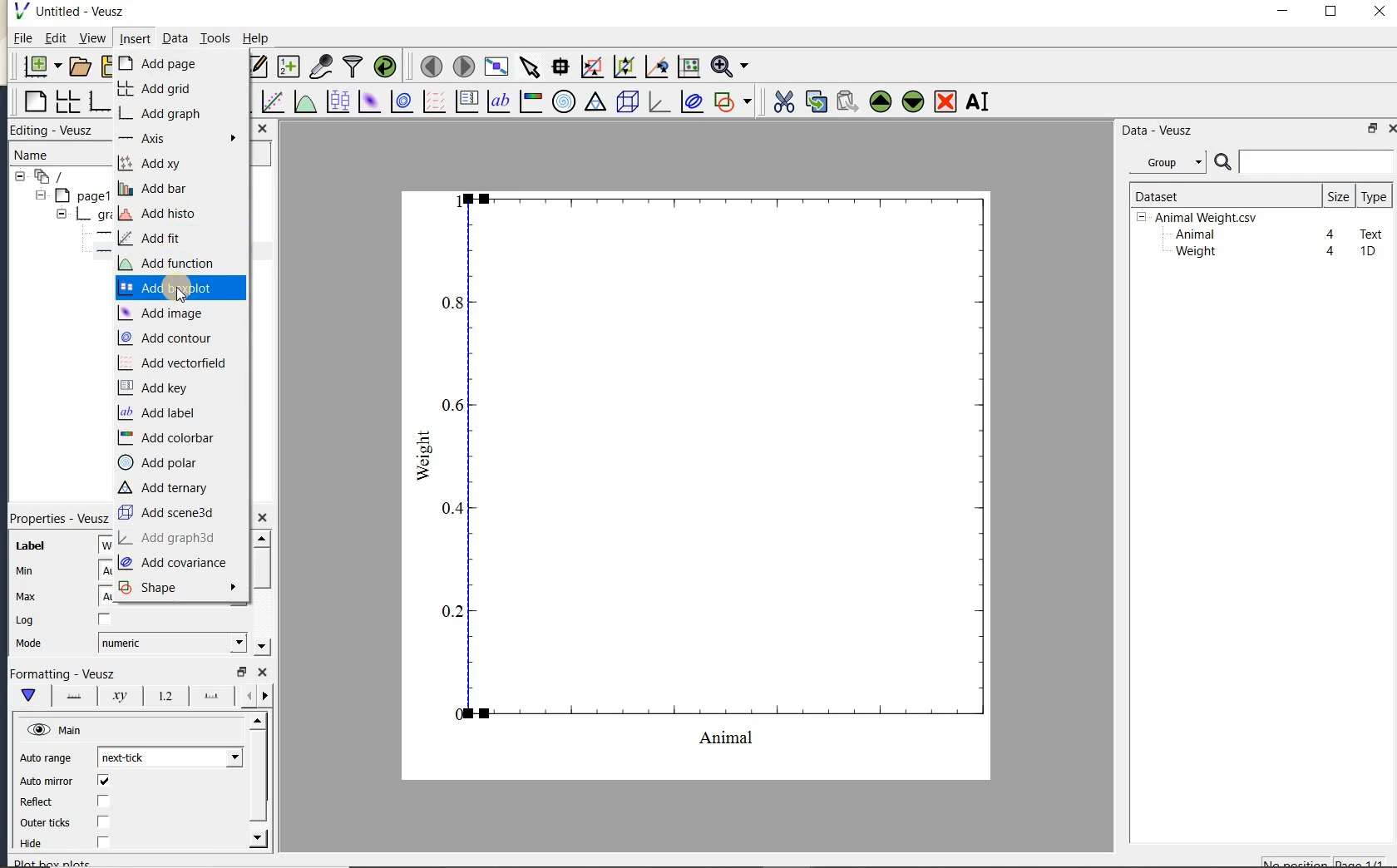  I want to click on main formatting, so click(27, 695).